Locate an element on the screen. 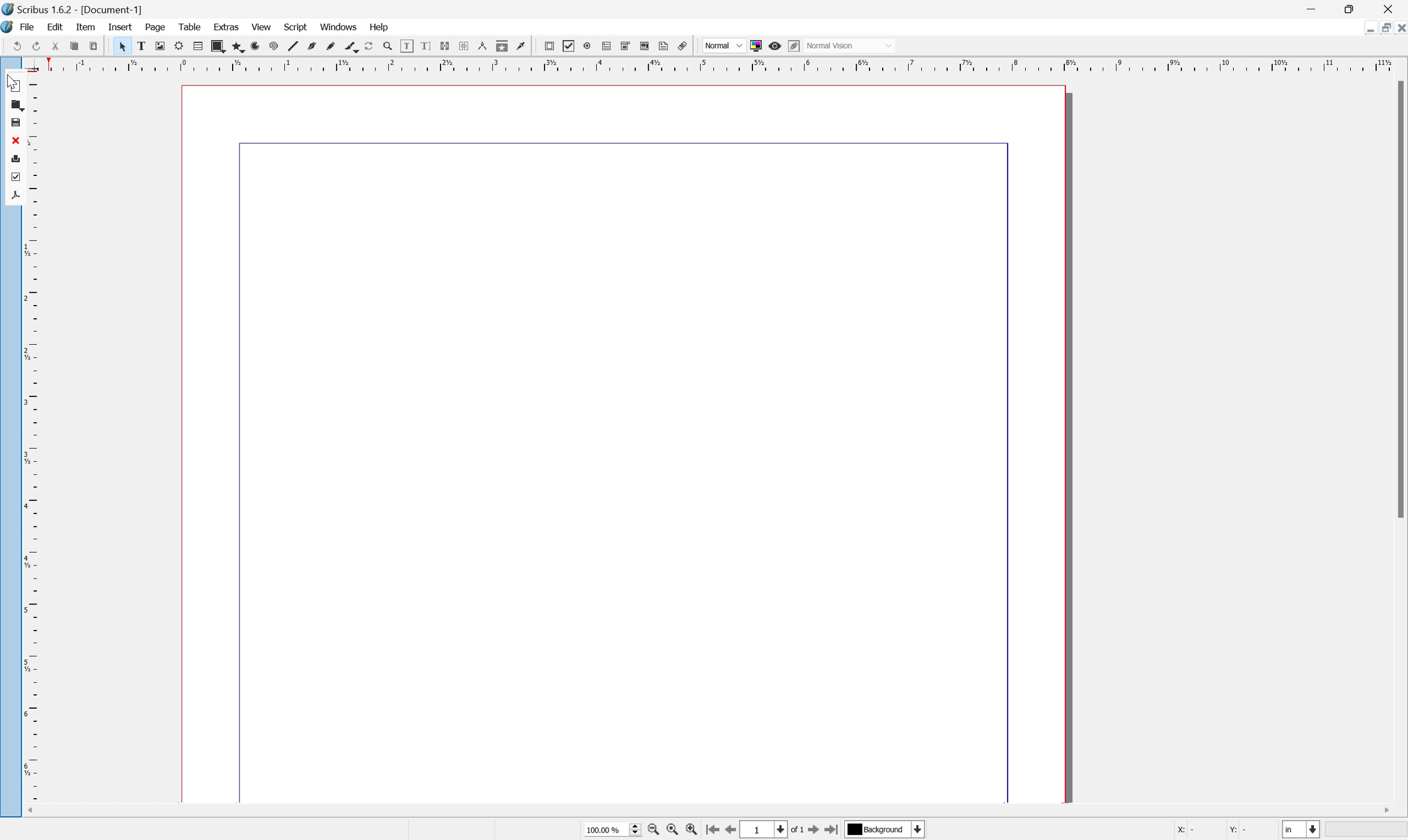 Image resolution: width=1408 pixels, height=840 pixels. line is located at coordinates (425, 45).